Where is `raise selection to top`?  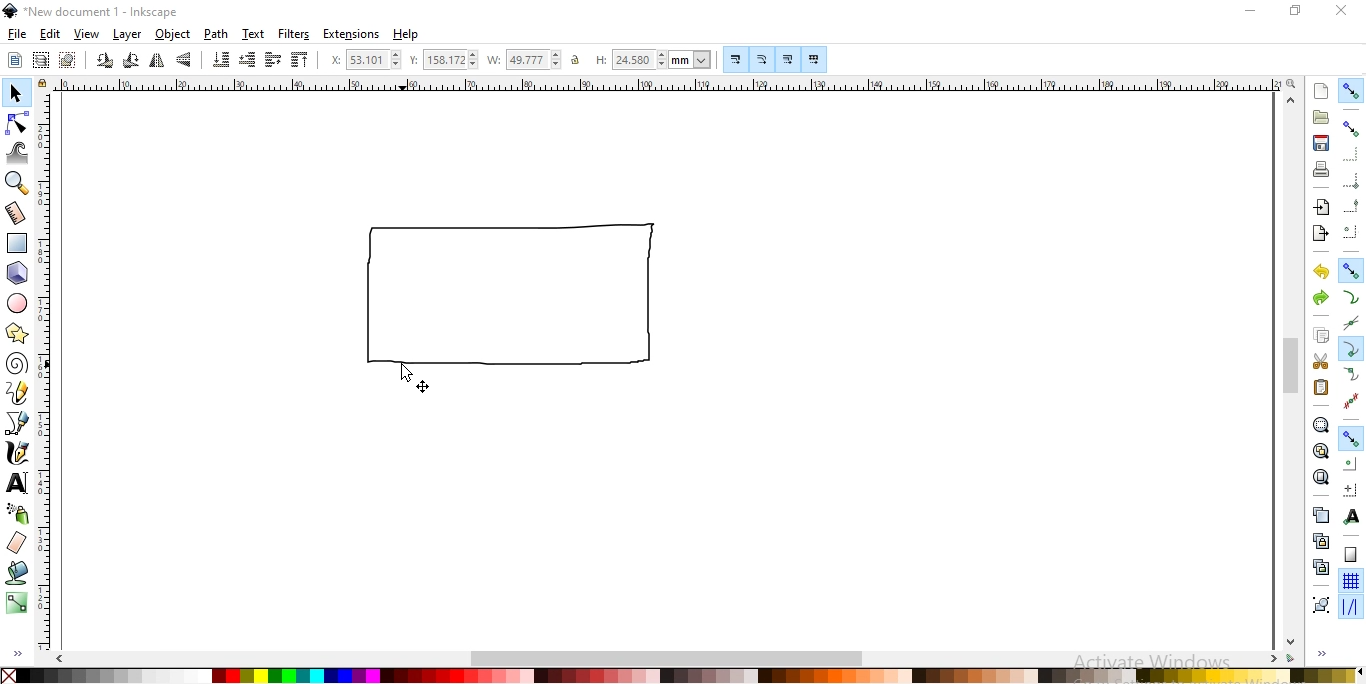
raise selection to top is located at coordinates (301, 59).